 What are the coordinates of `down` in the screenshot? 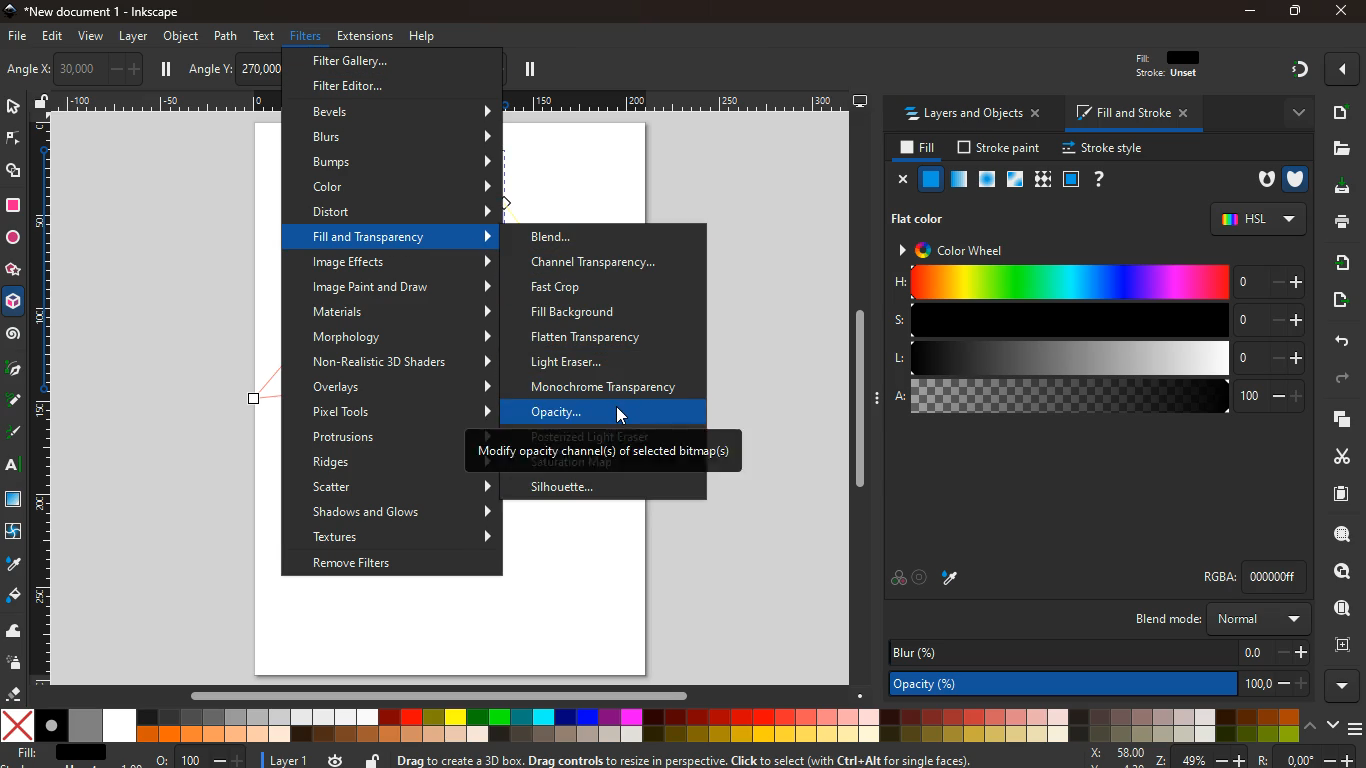 It's located at (1332, 726).